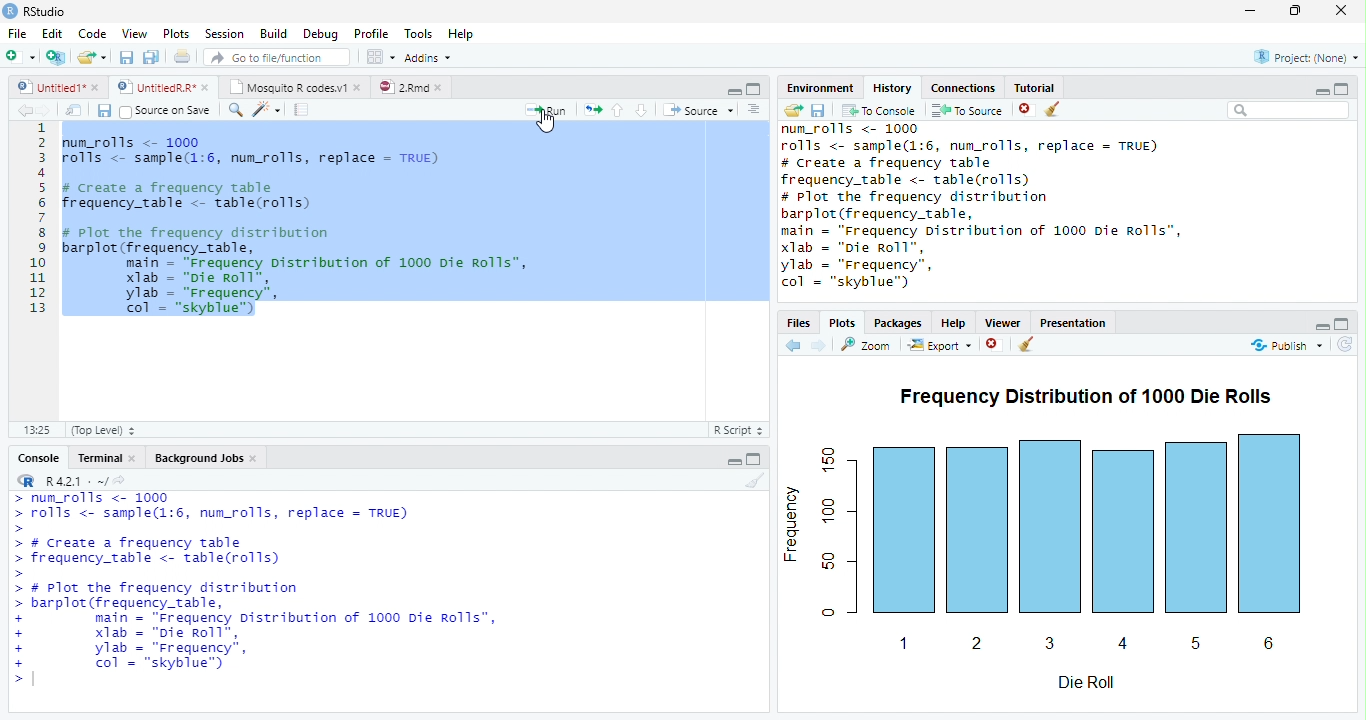 The width and height of the screenshot is (1366, 720). What do you see at coordinates (1034, 86) in the screenshot?
I see `Tutorial` at bounding box center [1034, 86].